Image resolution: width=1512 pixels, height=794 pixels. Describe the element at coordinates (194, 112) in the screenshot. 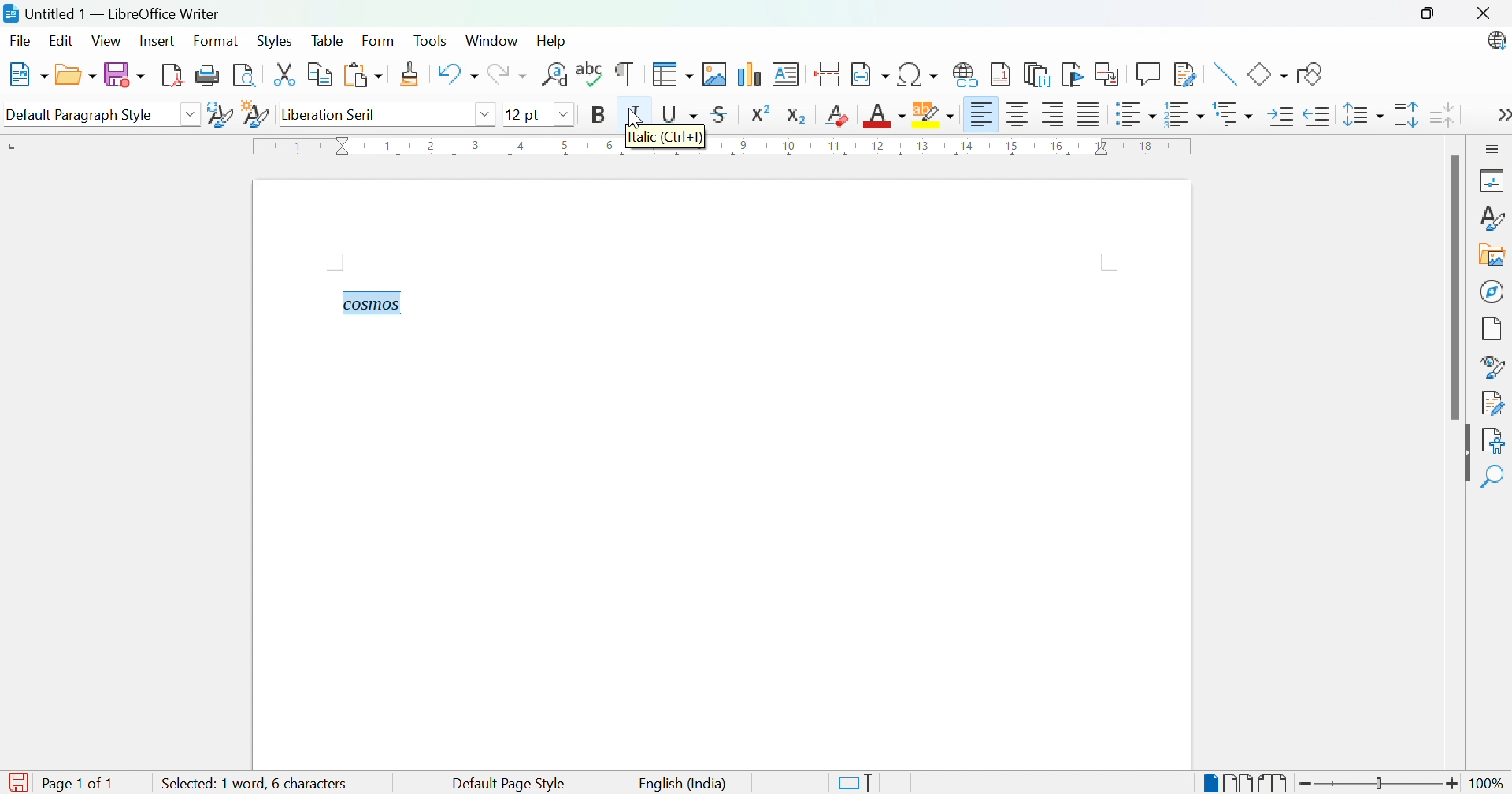

I see `Drop down` at that location.